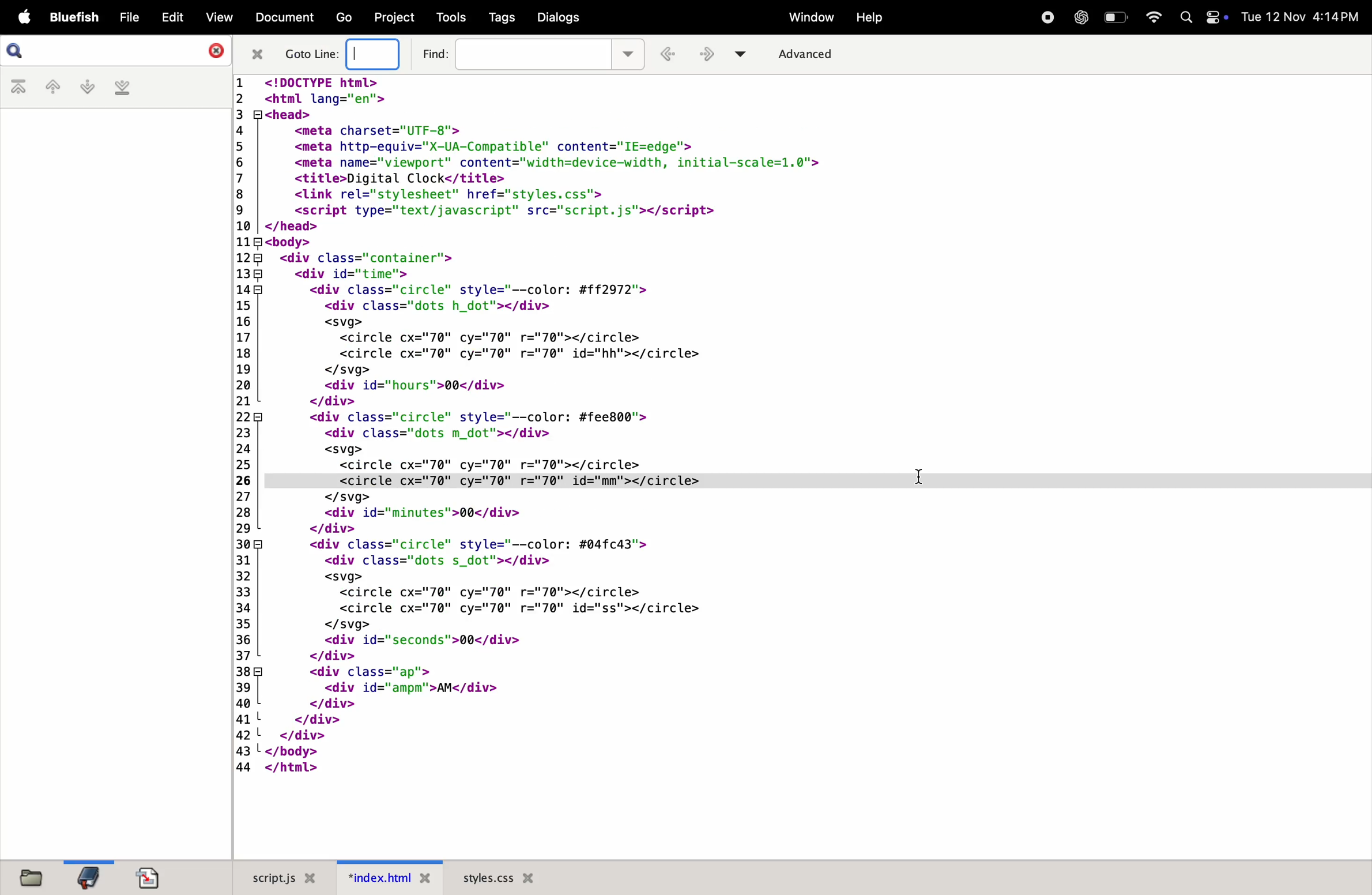  Describe the element at coordinates (286, 875) in the screenshot. I see `script.js` at that location.